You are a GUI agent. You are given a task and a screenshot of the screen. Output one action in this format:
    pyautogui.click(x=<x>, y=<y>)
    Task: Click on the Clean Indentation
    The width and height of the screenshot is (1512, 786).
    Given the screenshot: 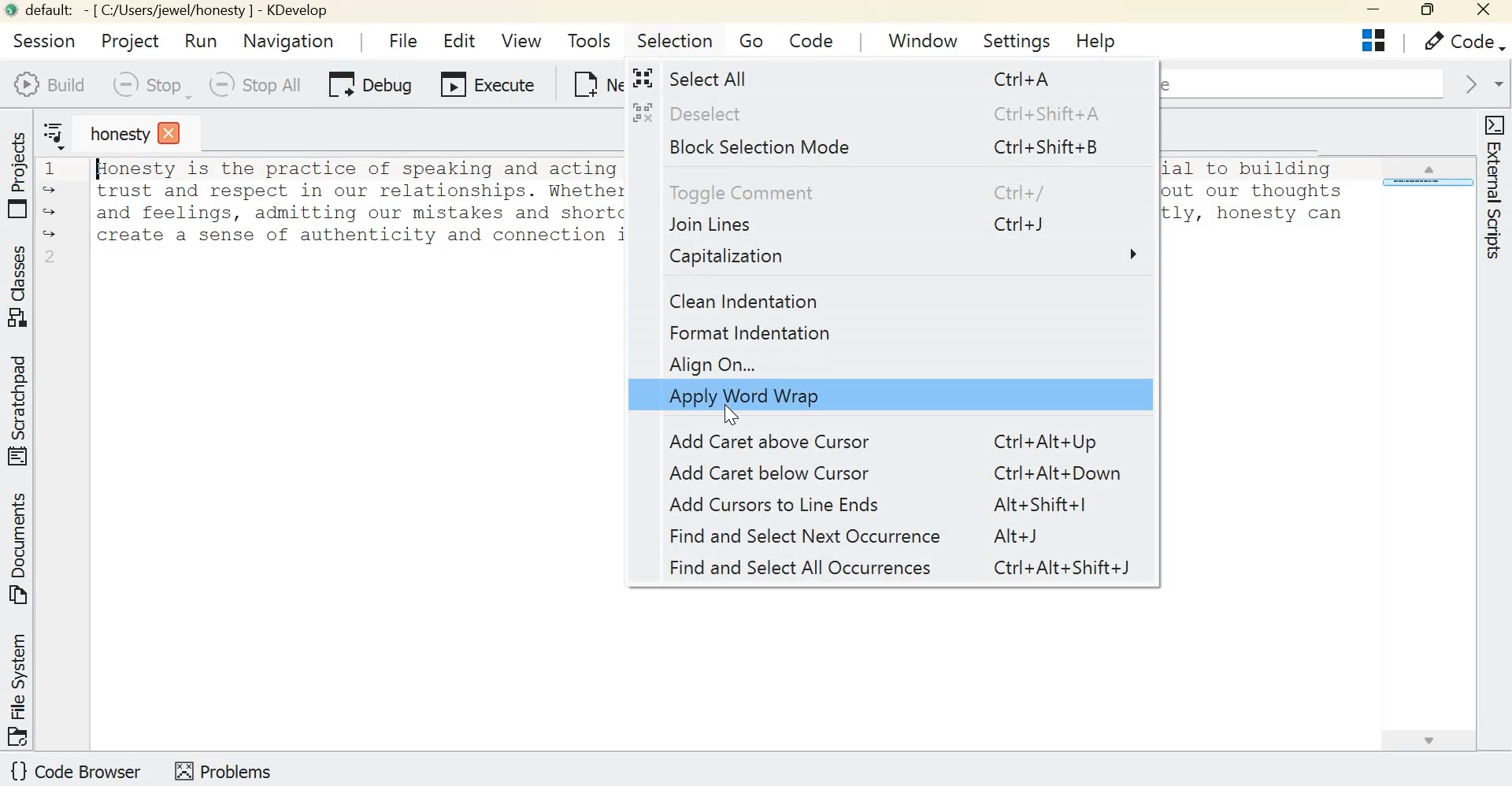 What is the action you would take?
    pyautogui.click(x=748, y=300)
    